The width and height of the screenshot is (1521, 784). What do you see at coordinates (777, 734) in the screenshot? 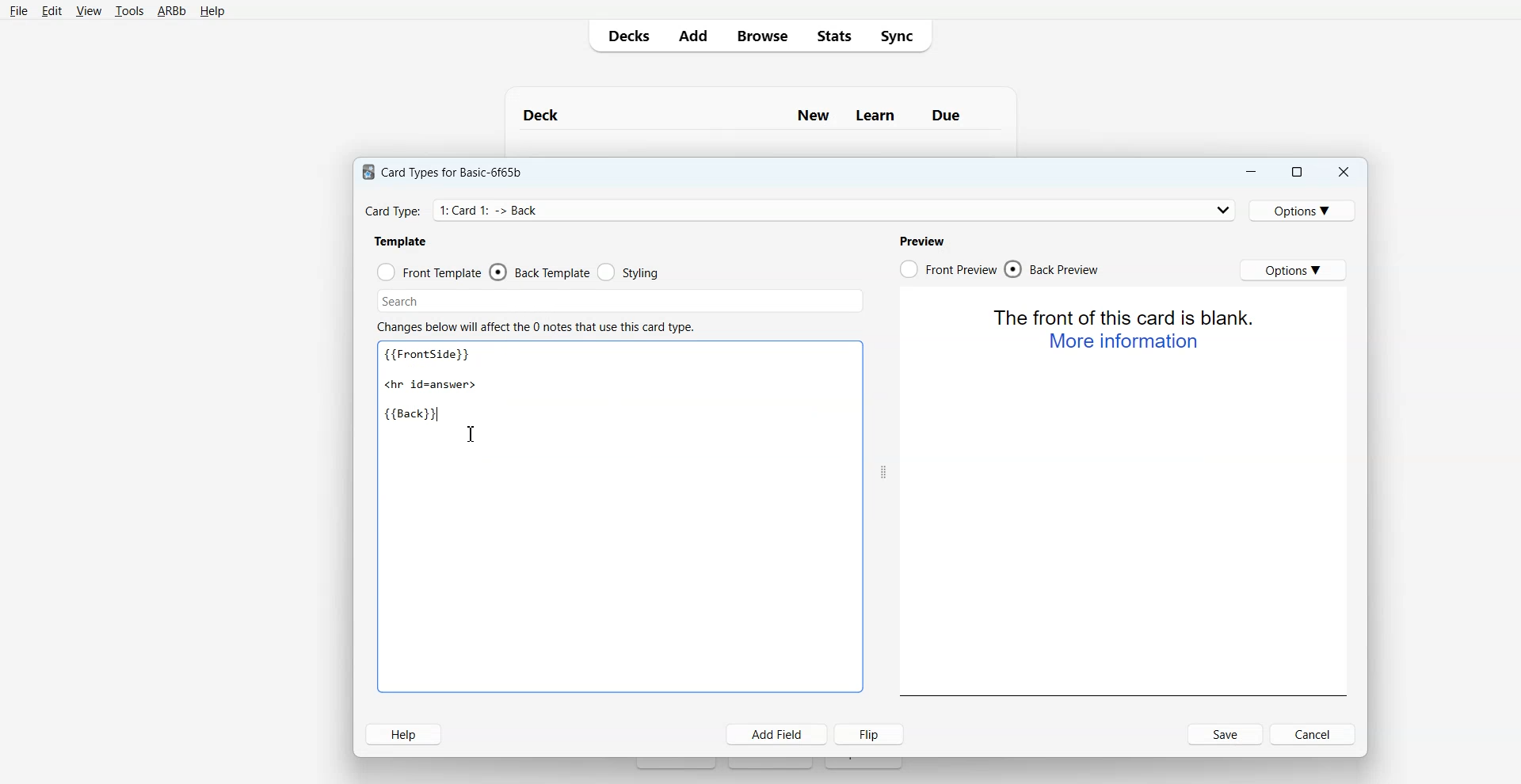
I see `Add Field` at bounding box center [777, 734].